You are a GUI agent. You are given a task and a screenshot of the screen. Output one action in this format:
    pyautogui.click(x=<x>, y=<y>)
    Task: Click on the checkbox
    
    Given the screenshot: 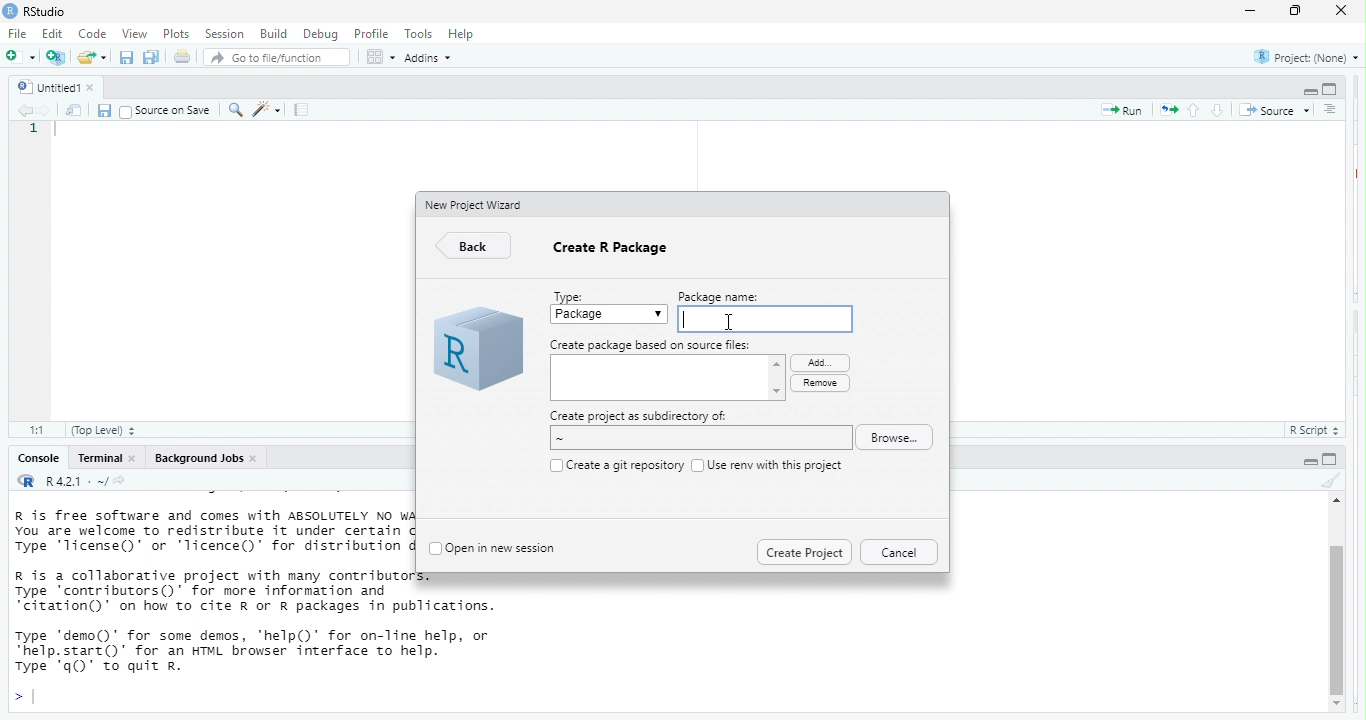 What is the action you would take?
    pyautogui.click(x=553, y=465)
    